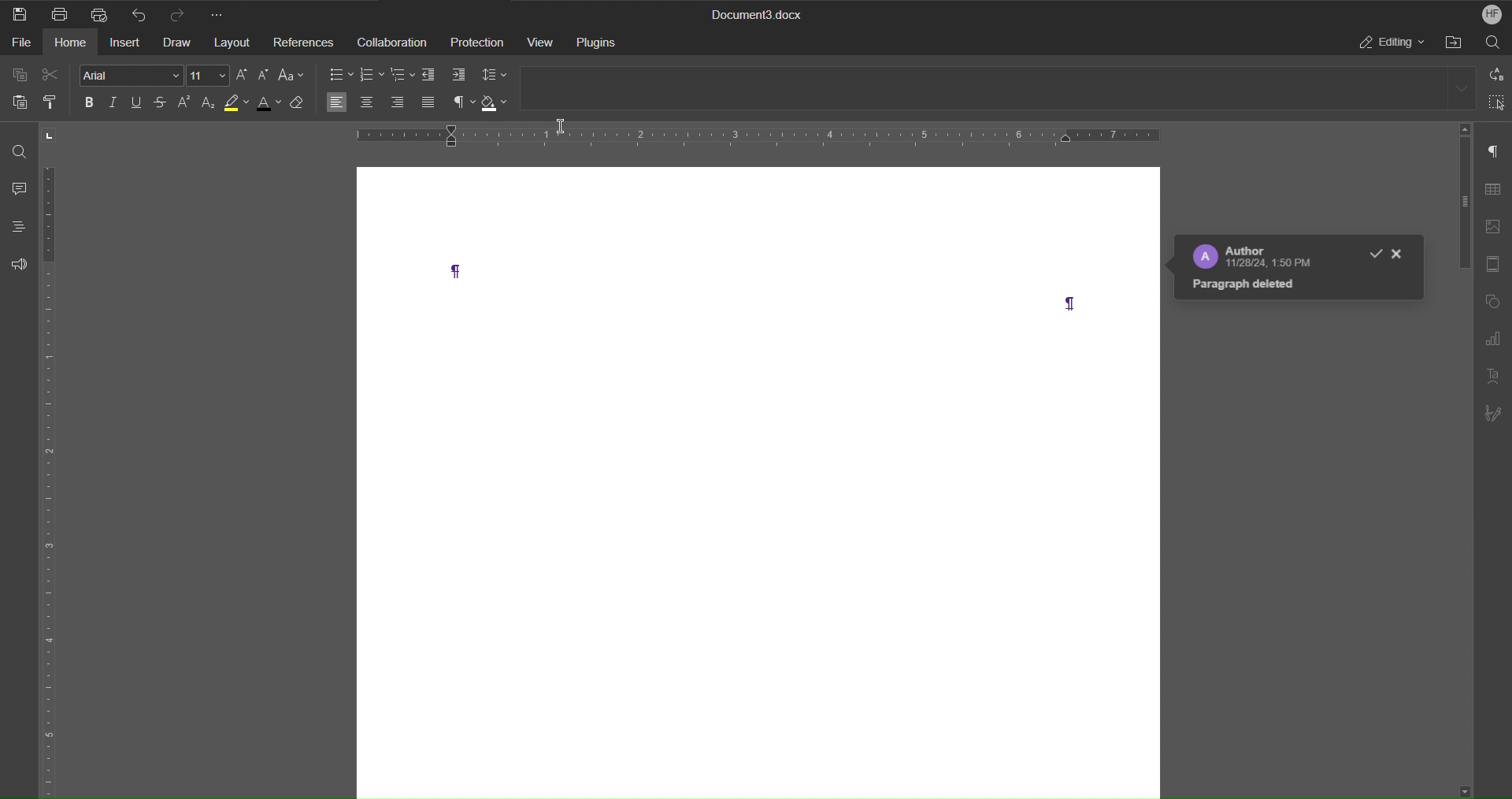  I want to click on Close, so click(1398, 255).